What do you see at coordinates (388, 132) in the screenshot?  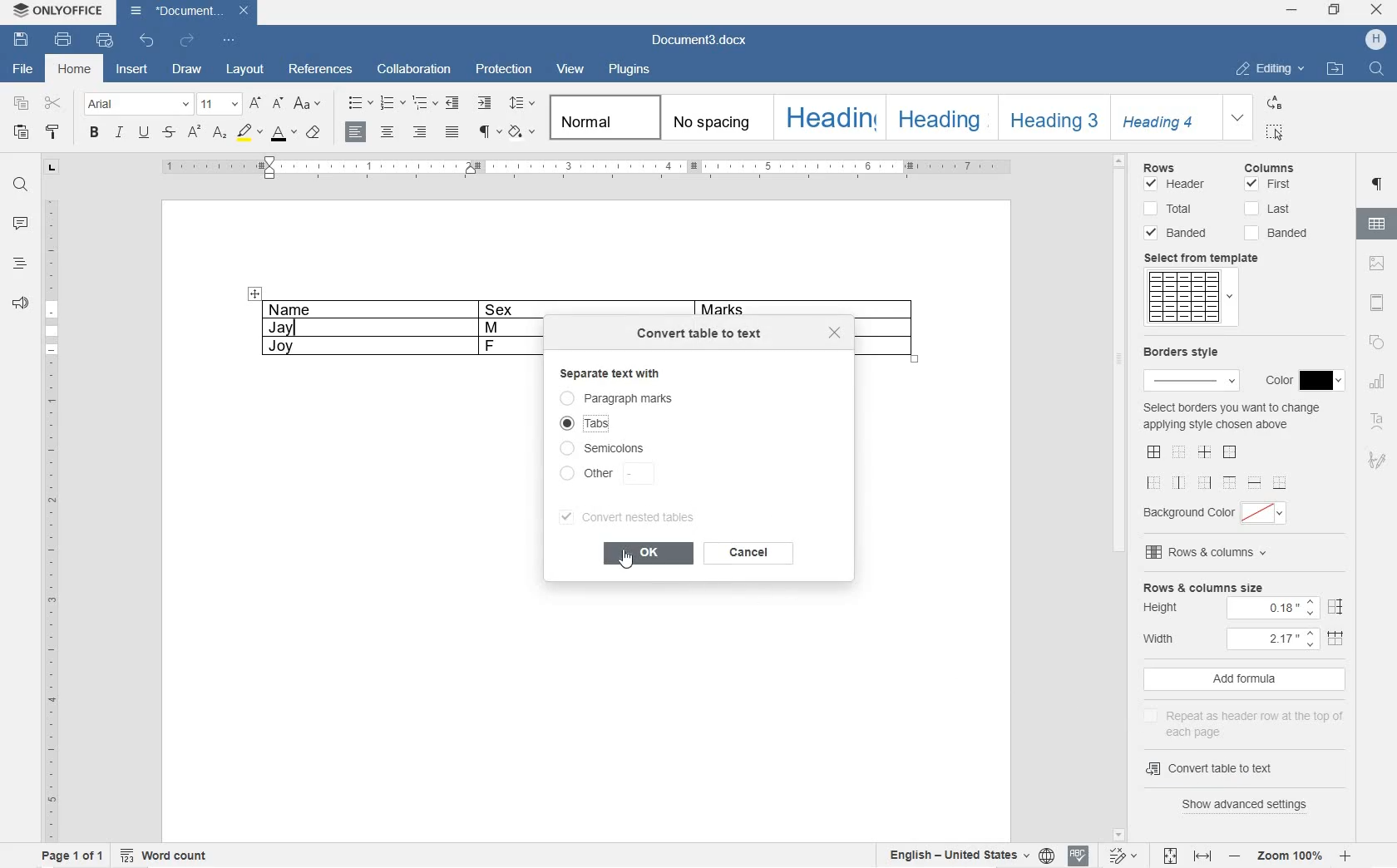 I see `ALIGN CENTER` at bounding box center [388, 132].